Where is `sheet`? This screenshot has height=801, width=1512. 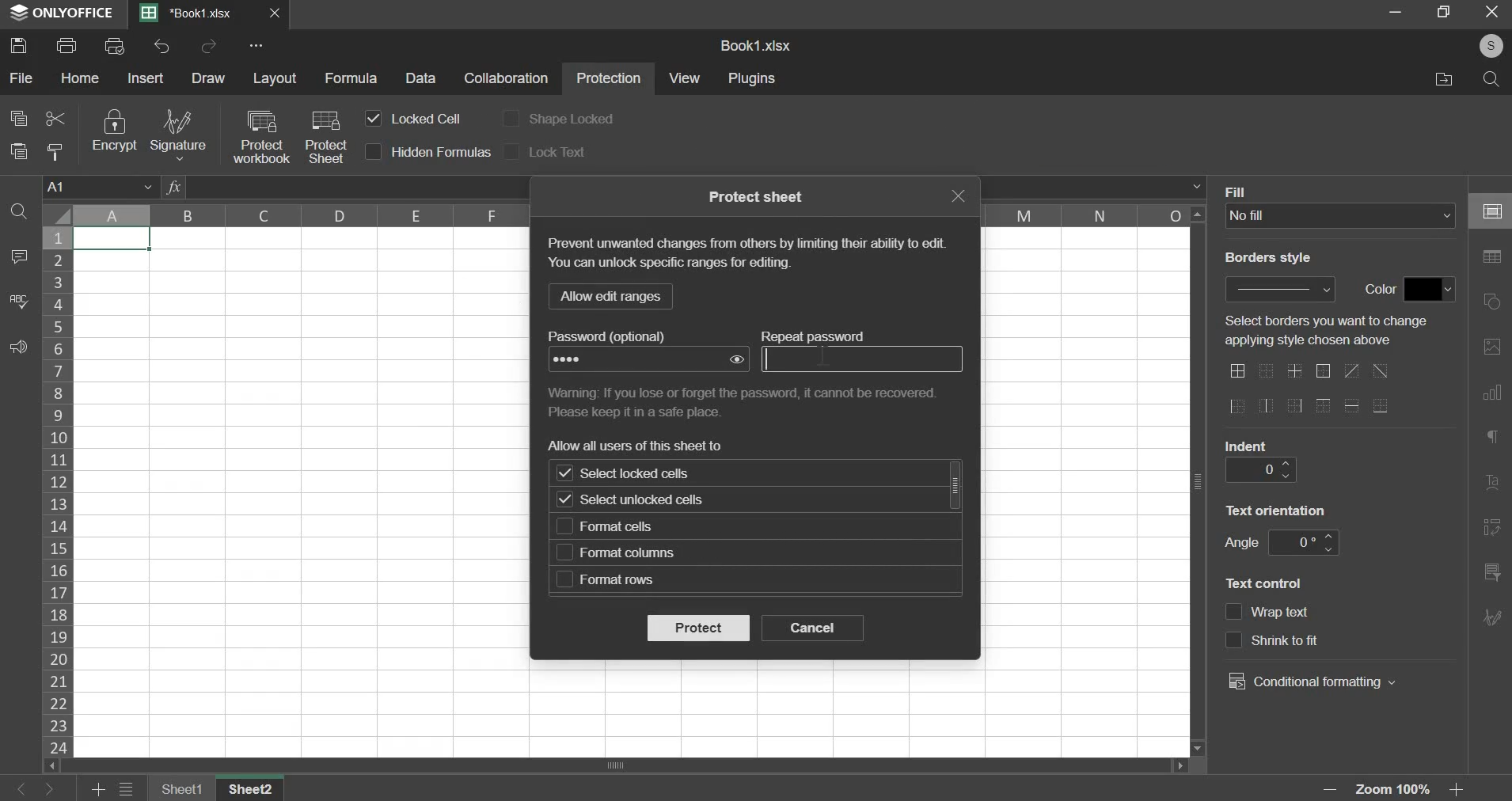
sheet is located at coordinates (255, 788).